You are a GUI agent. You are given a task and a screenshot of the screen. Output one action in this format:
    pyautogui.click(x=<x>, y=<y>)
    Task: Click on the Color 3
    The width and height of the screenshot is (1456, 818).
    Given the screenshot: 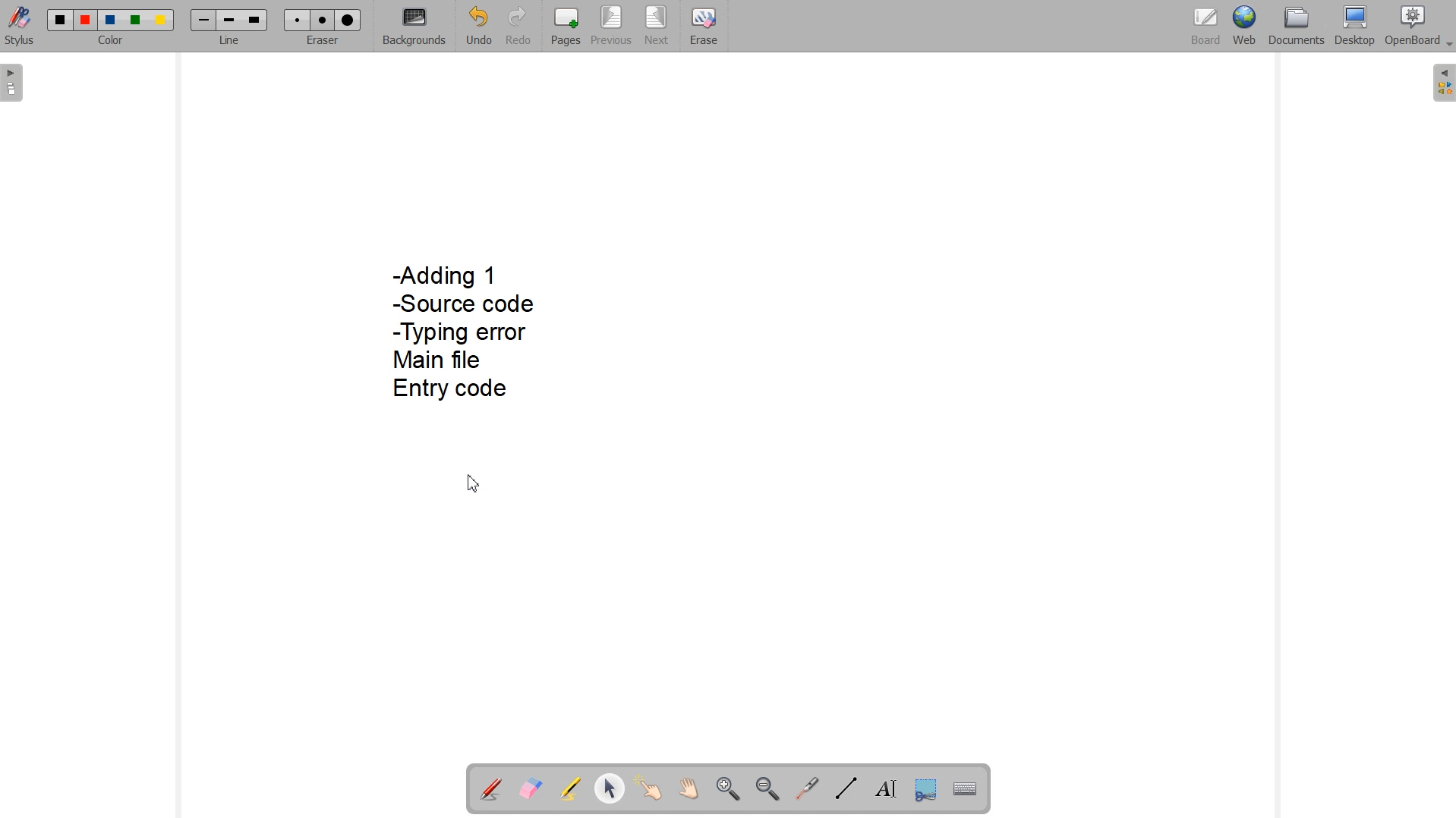 What is the action you would take?
    pyautogui.click(x=110, y=20)
    